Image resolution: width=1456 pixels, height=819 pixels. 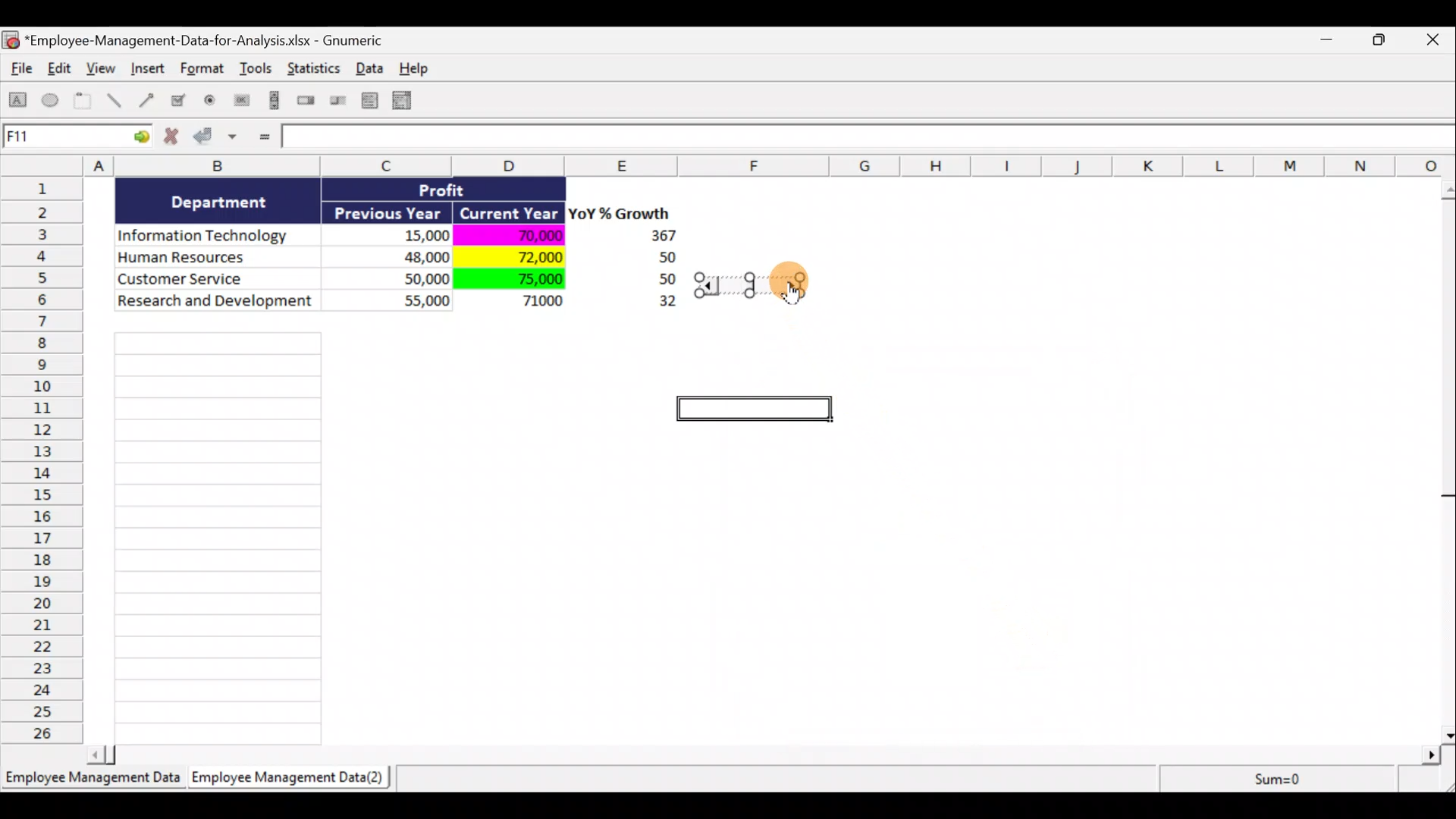 I want to click on Create a spin button, so click(x=307, y=102).